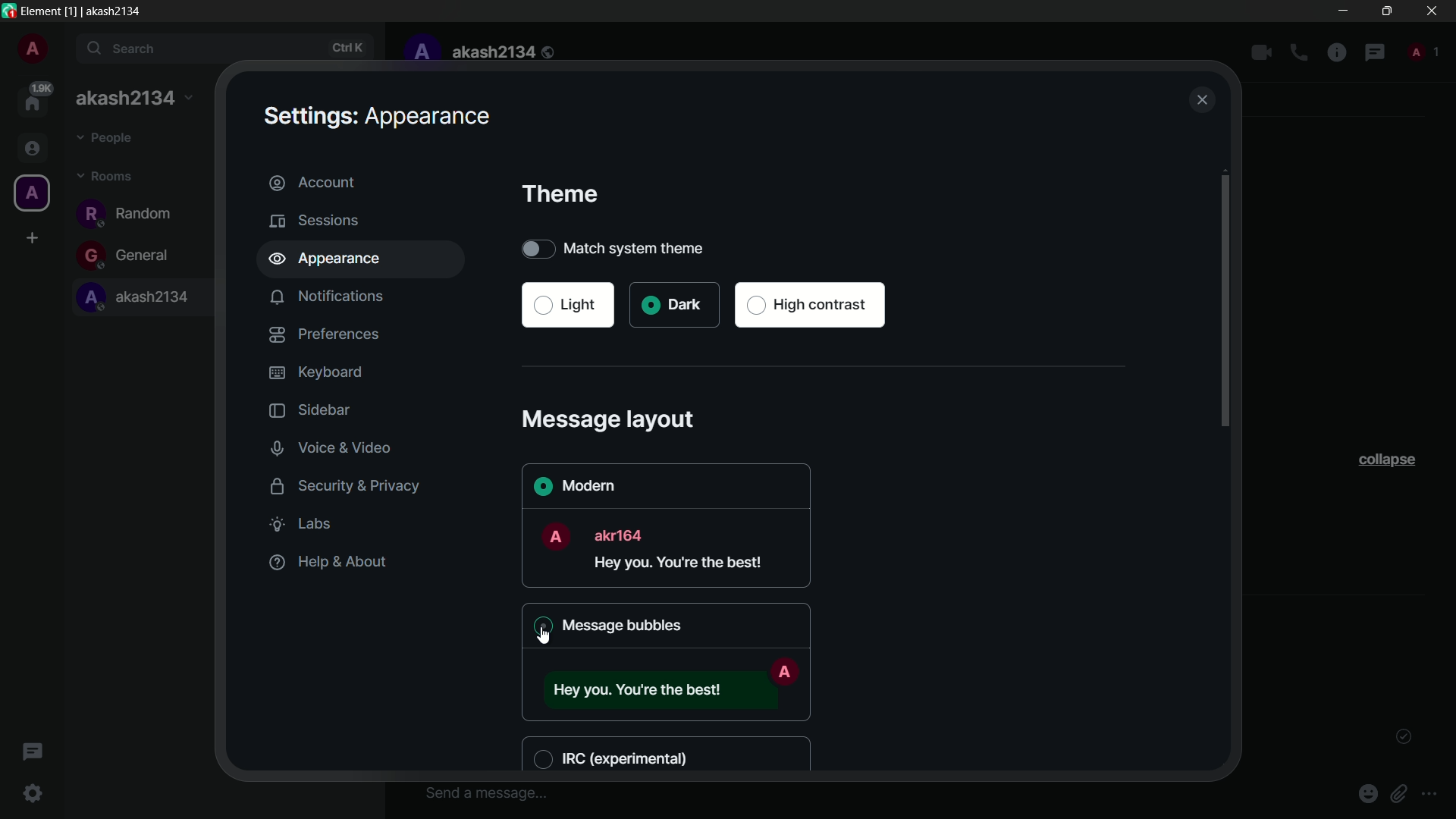 The width and height of the screenshot is (1456, 819). I want to click on toggle switch, so click(536, 248).